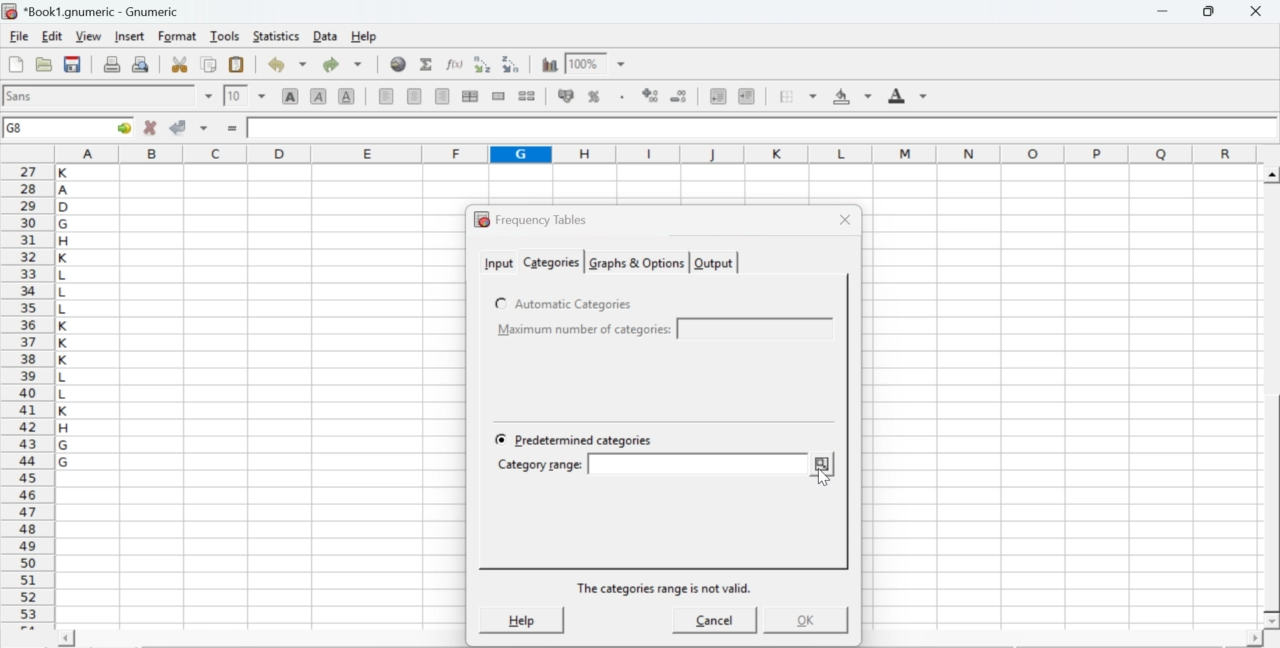  What do you see at coordinates (347, 95) in the screenshot?
I see `underline` at bounding box center [347, 95].